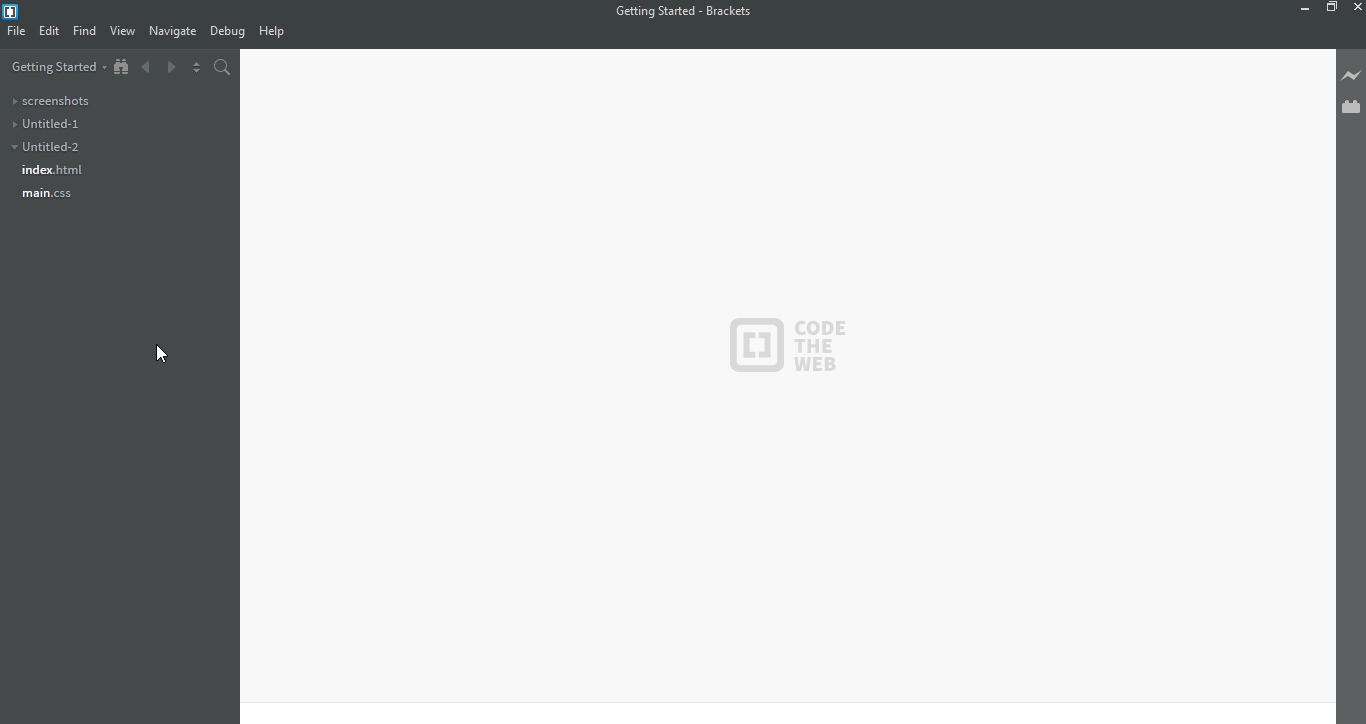  What do you see at coordinates (124, 65) in the screenshot?
I see `show in file tree` at bounding box center [124, 65].